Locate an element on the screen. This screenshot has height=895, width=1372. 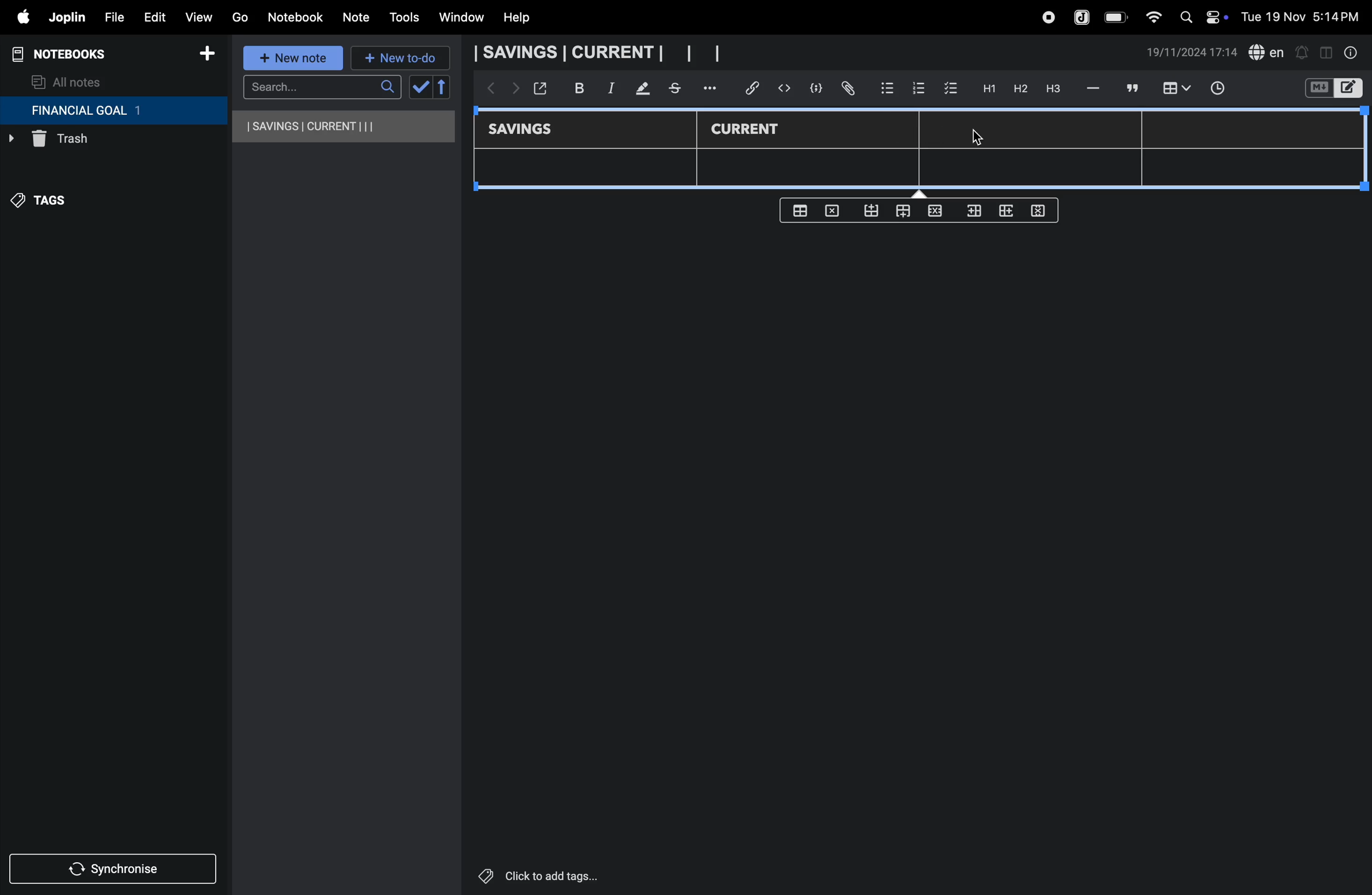
check box is located at coordinates (951, 89).